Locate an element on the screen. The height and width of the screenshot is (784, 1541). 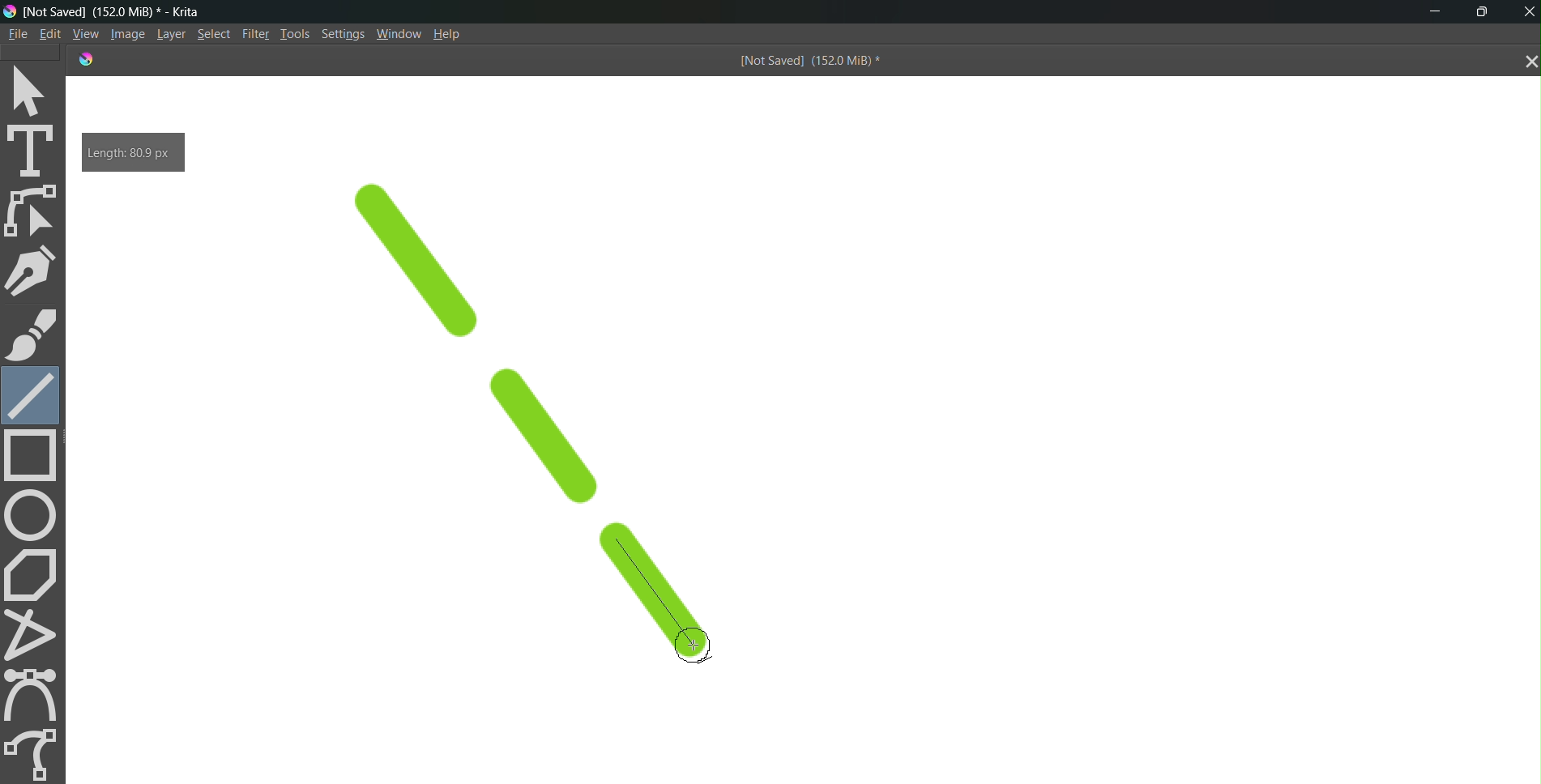
Help is located at coordinates (454, 34).